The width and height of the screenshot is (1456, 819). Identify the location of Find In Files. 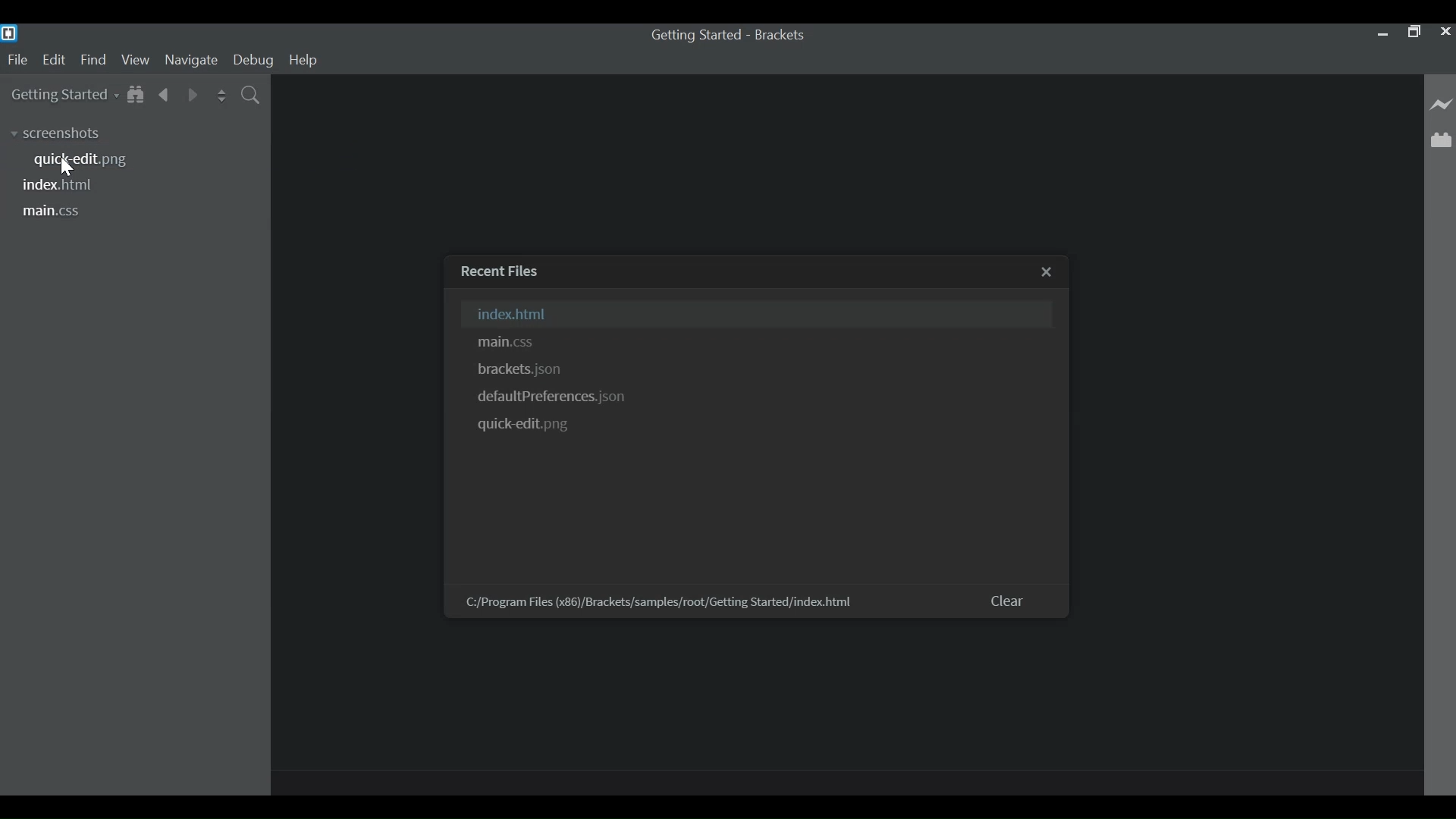
(253, 96).